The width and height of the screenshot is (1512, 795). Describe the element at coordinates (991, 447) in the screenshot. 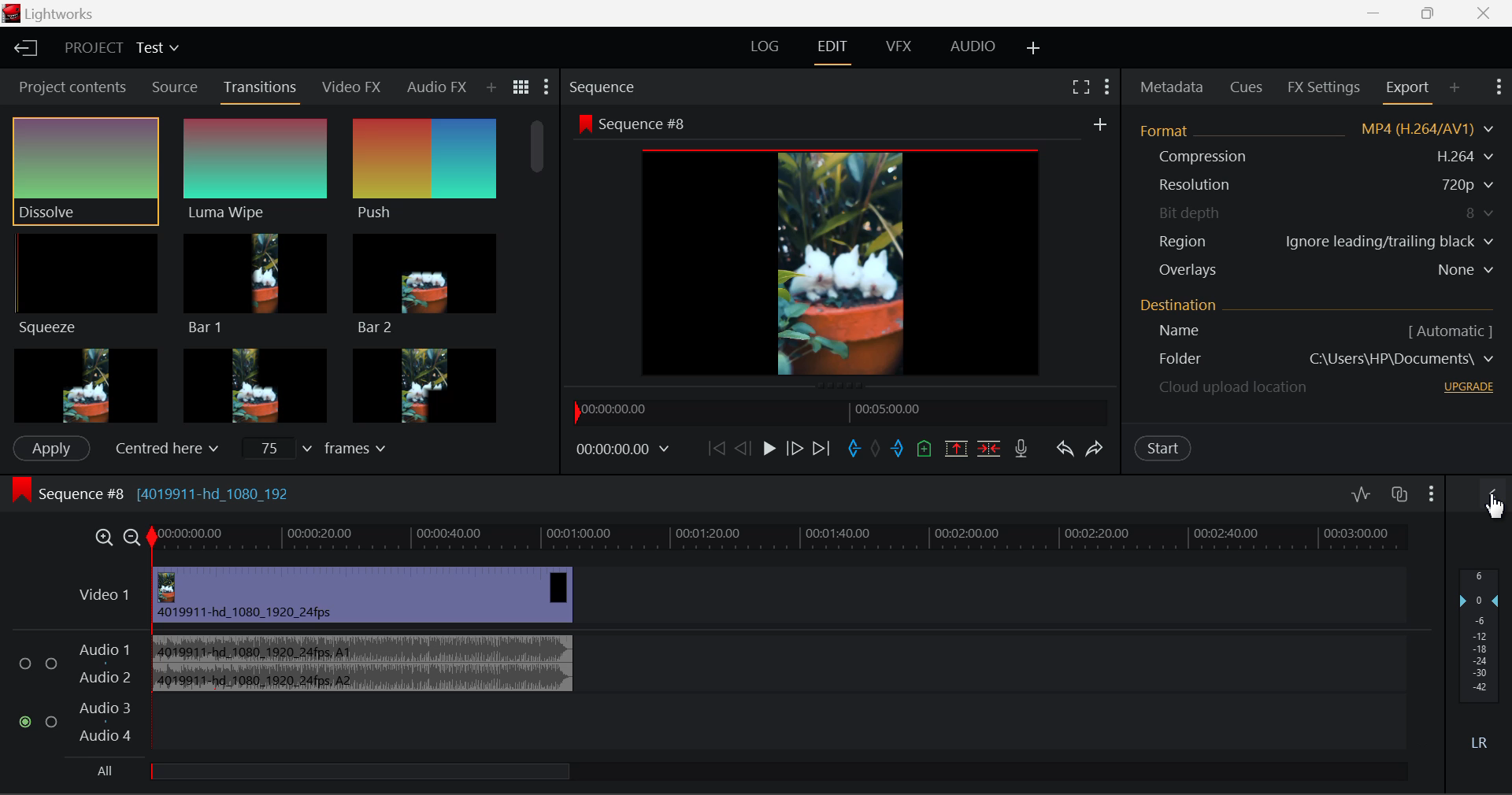

I see `Delete/Cut` at that location.